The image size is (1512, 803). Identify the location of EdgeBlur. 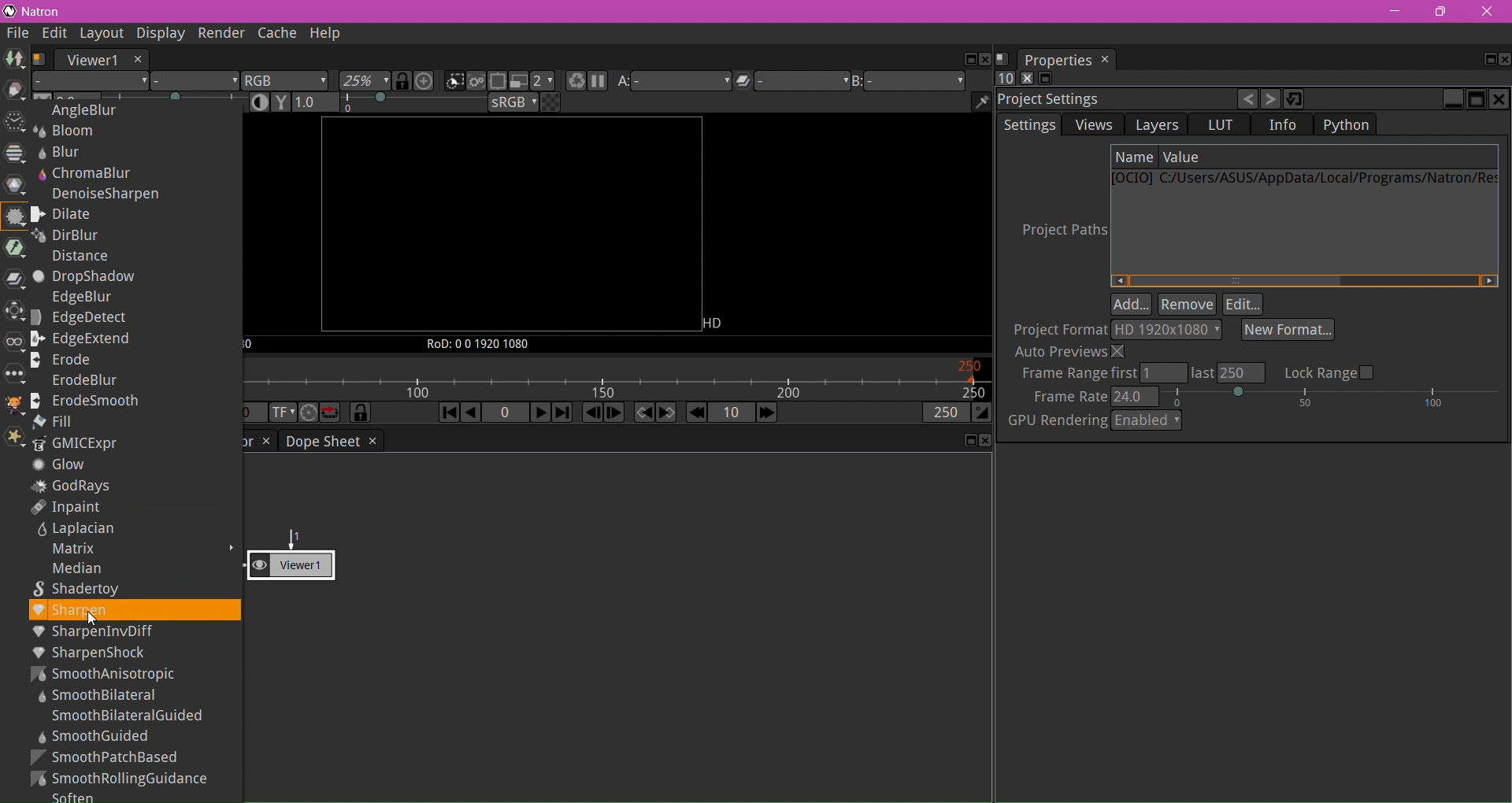
(76, 299).